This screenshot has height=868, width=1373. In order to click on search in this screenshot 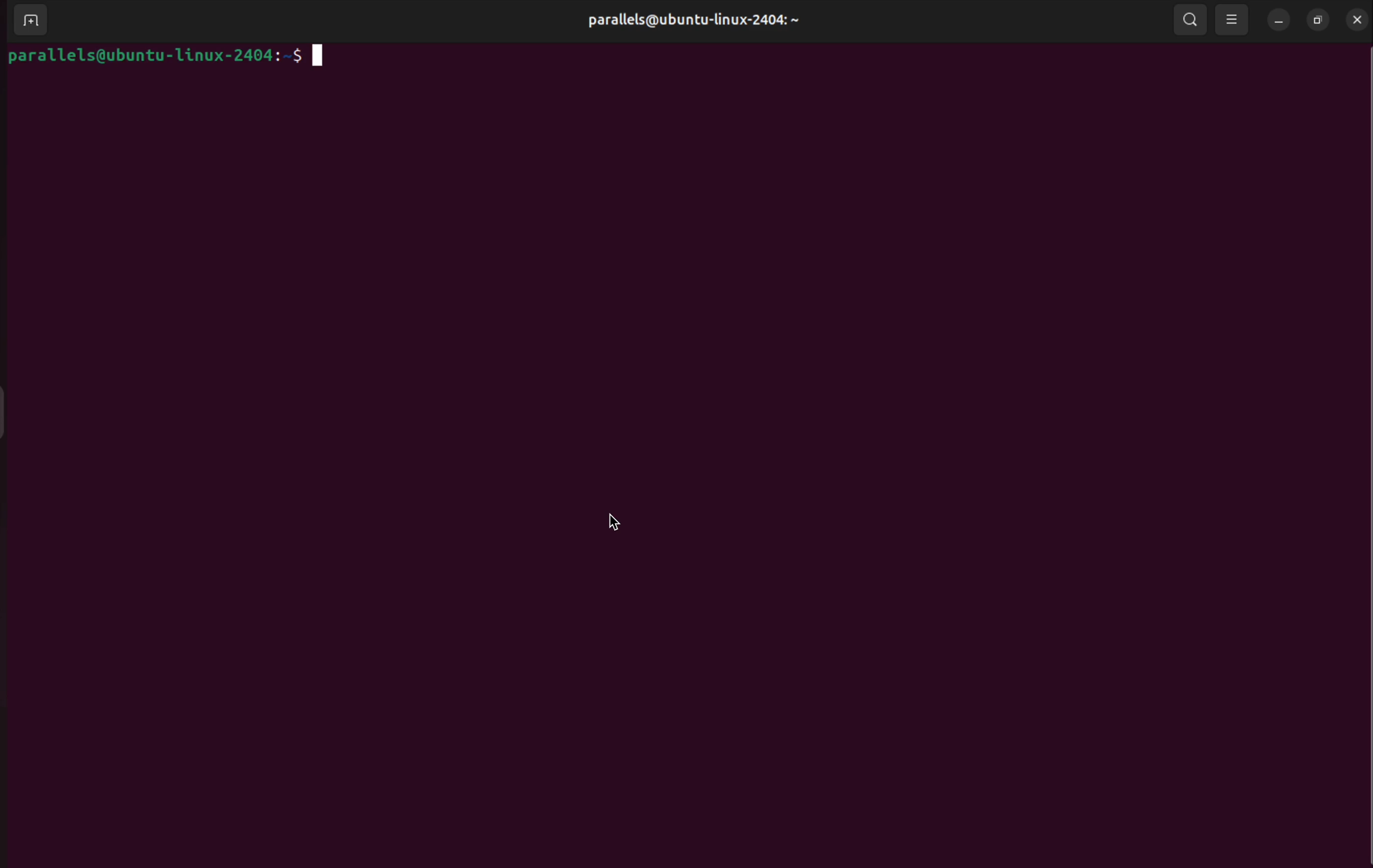, I will do `click(1191, 21)`.